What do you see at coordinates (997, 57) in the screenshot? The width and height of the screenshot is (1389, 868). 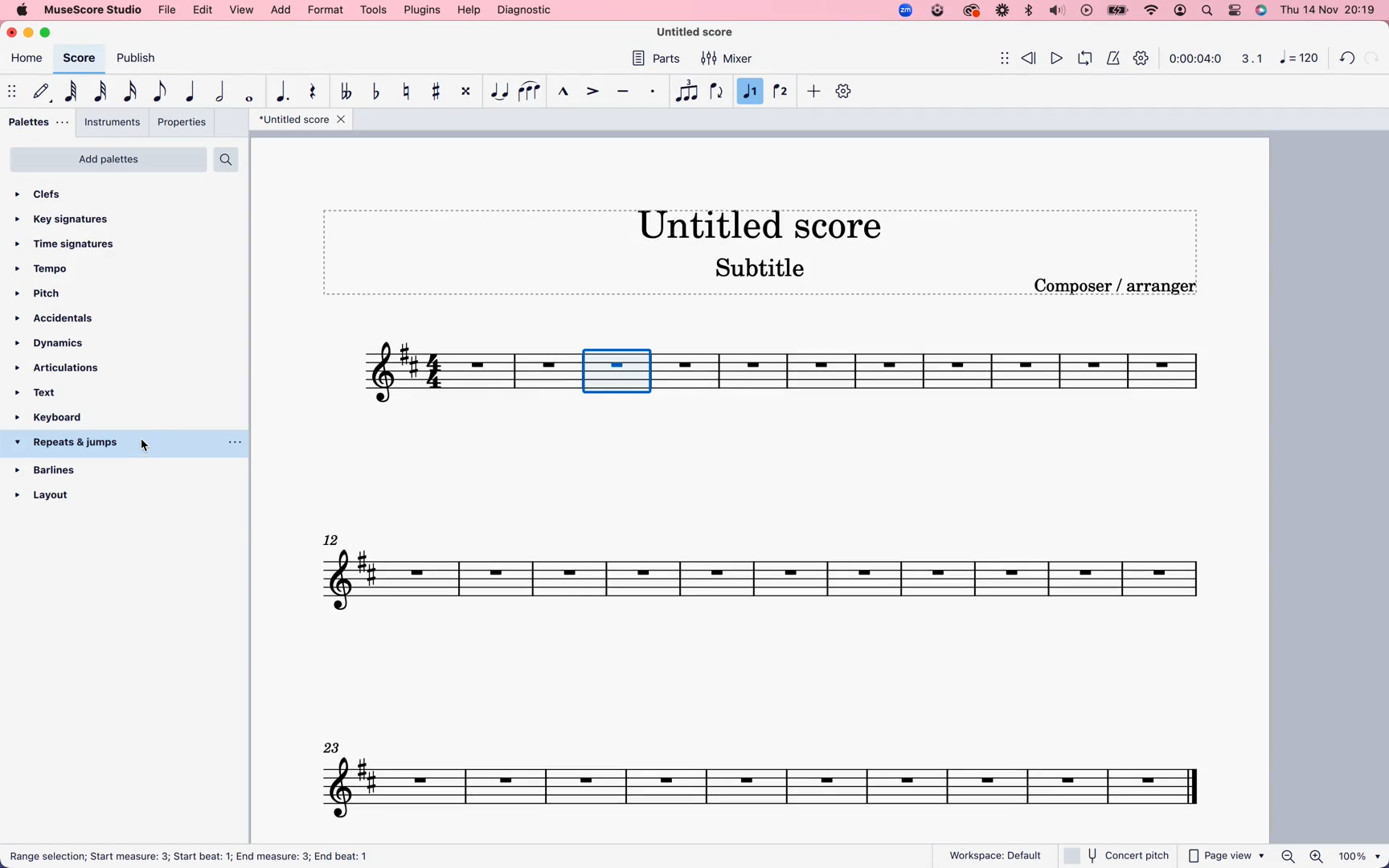 I see `move` at bounding box center [997, 57].